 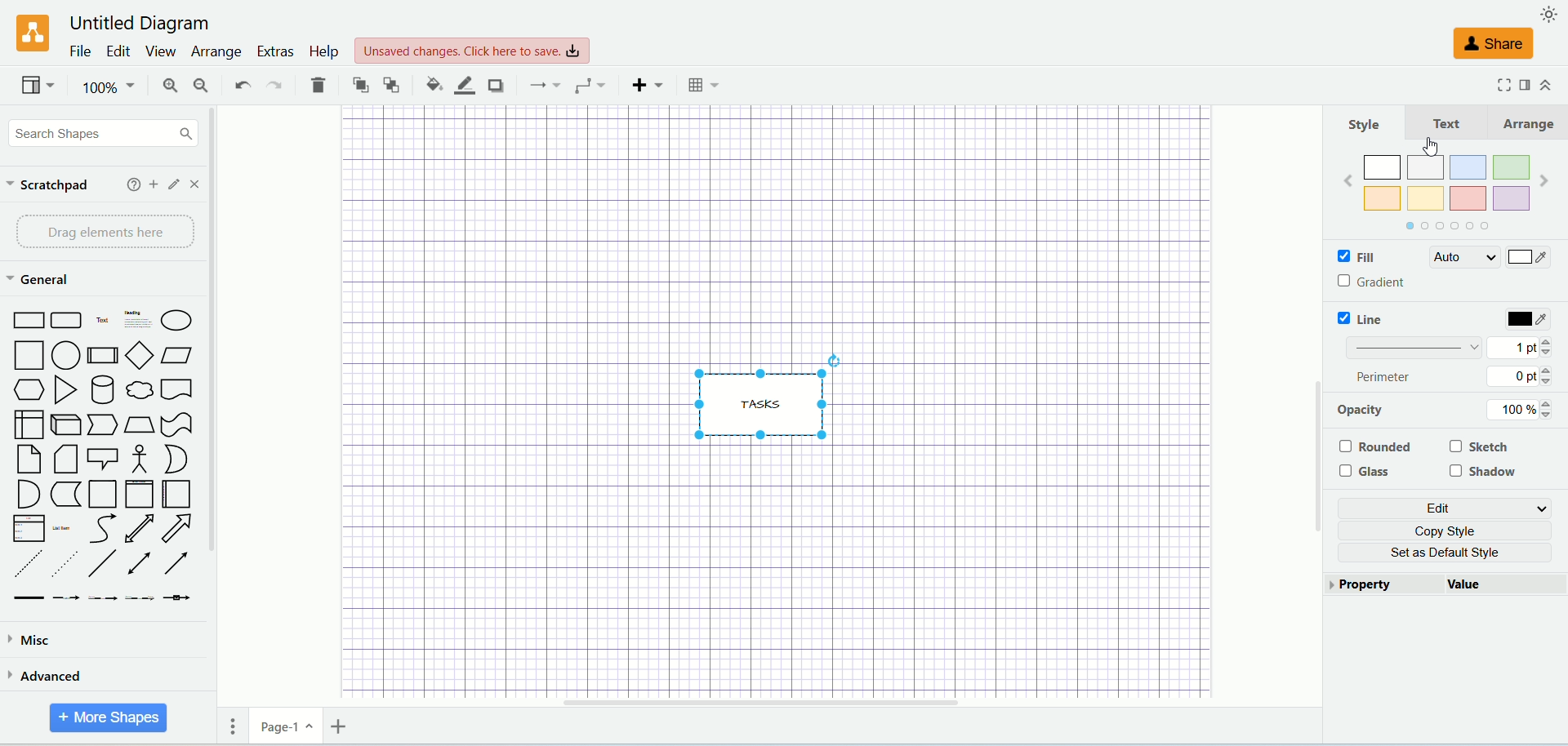 What do you see at coordinates (37, 279) in the screenshot?
I see `general` at bounding box center [37, 279].